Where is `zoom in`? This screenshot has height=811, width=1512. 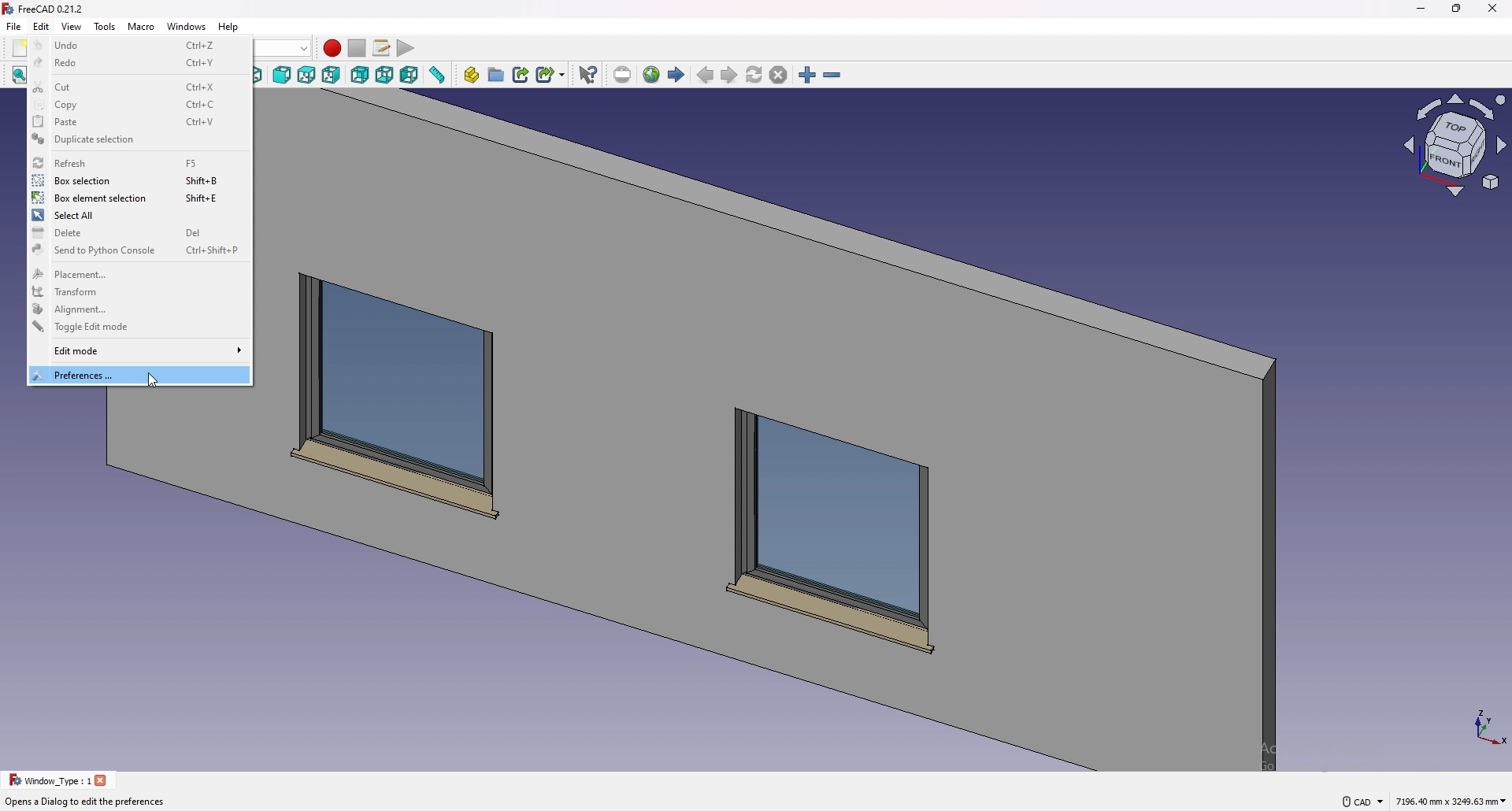
zoom in is located at coordinates (807, 76).